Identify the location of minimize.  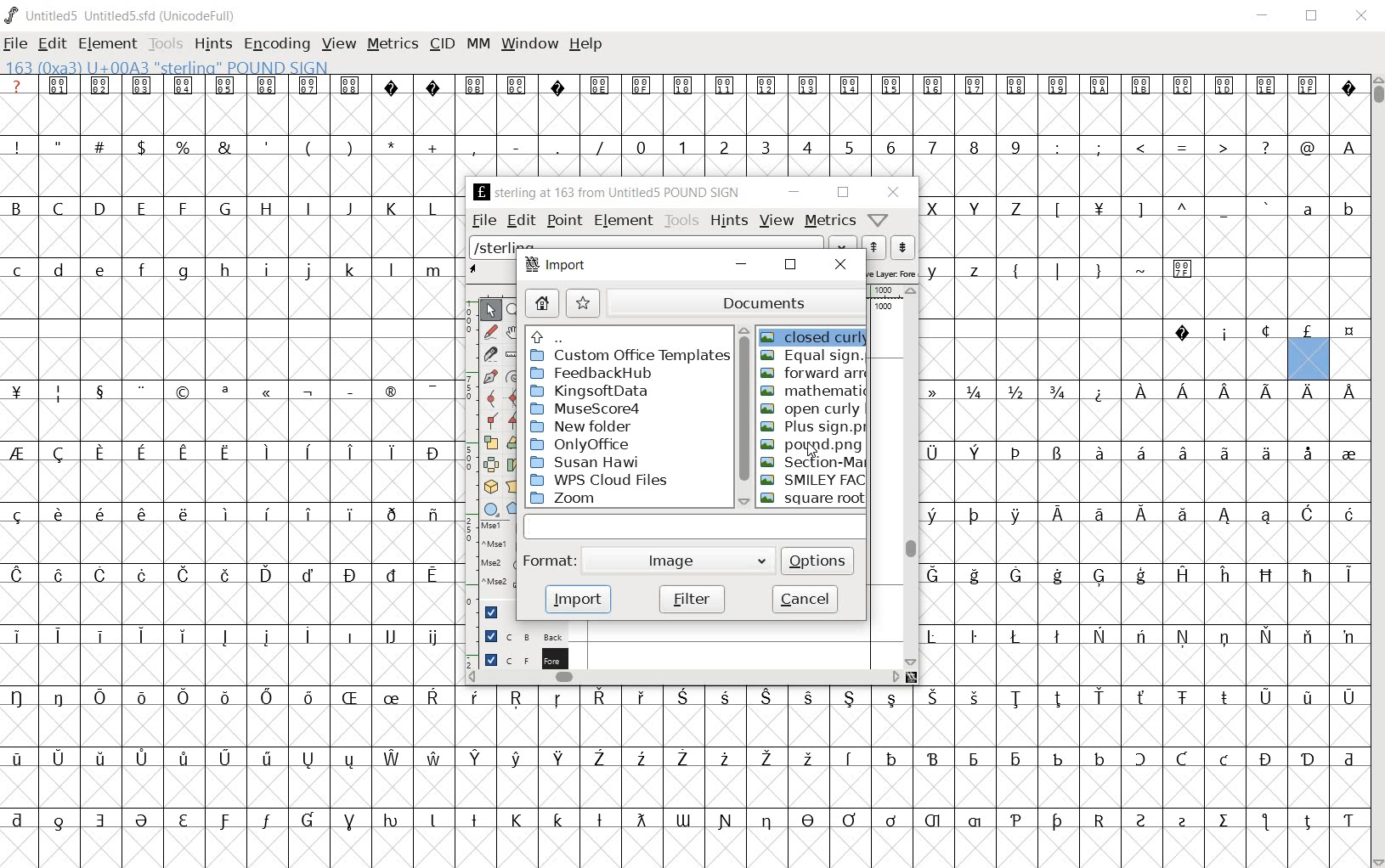
(1266, 17).